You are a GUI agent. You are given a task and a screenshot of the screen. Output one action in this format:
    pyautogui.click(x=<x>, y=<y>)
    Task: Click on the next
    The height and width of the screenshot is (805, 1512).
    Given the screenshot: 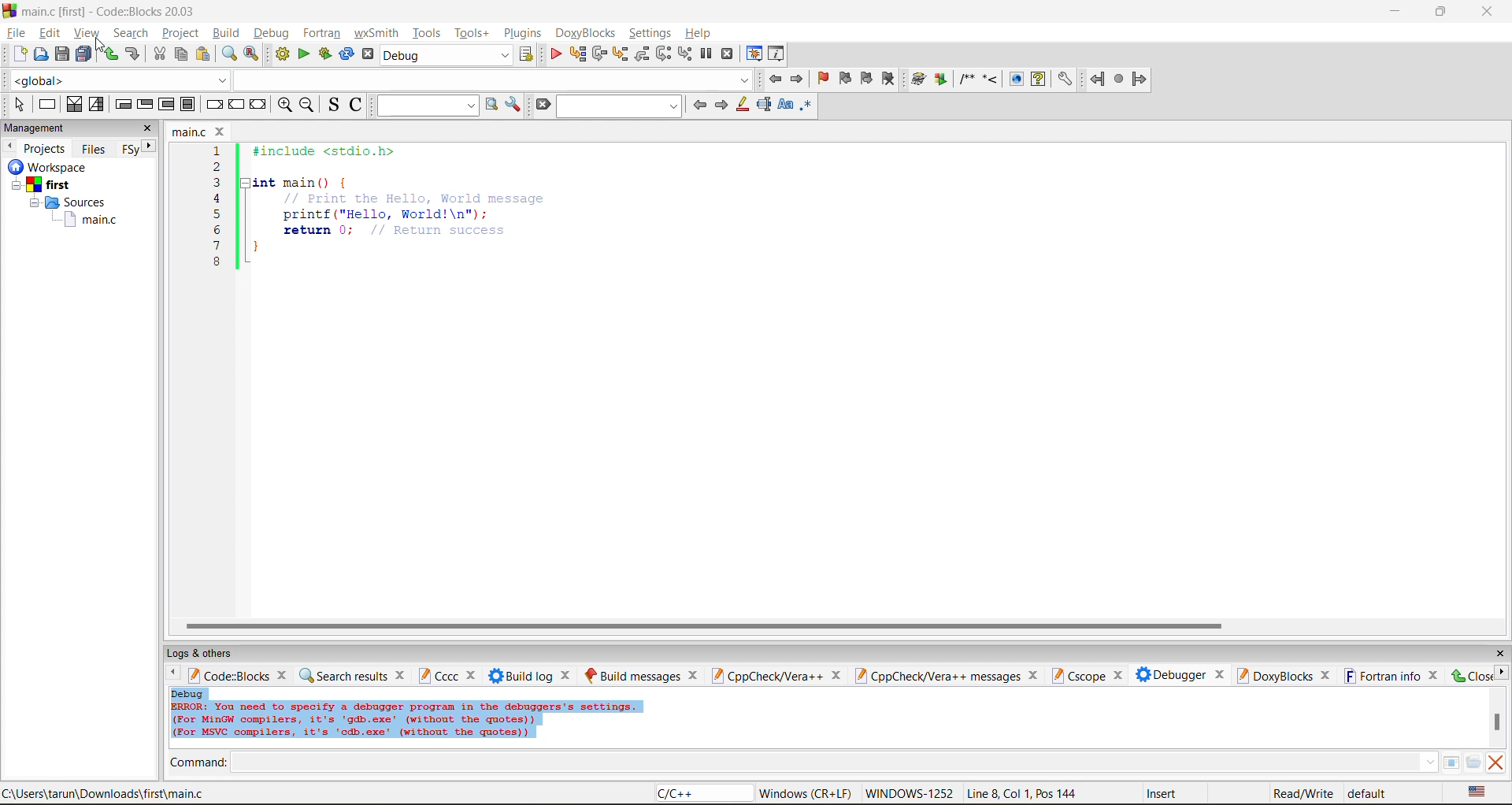 What is the action you would take?
    pyautogui.click(x=148, y=147)
    